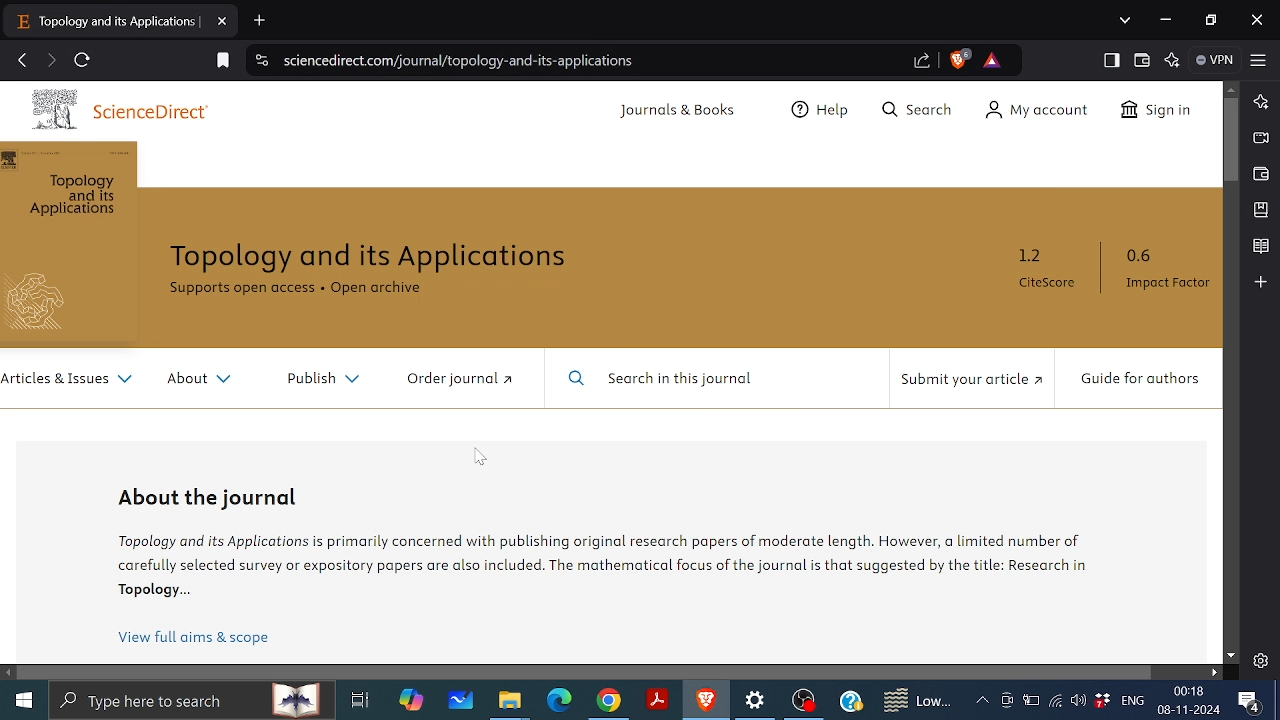  Describe the element at coordinates (1261, 210) in the screenshot. I see `Add bookmark` at that location.